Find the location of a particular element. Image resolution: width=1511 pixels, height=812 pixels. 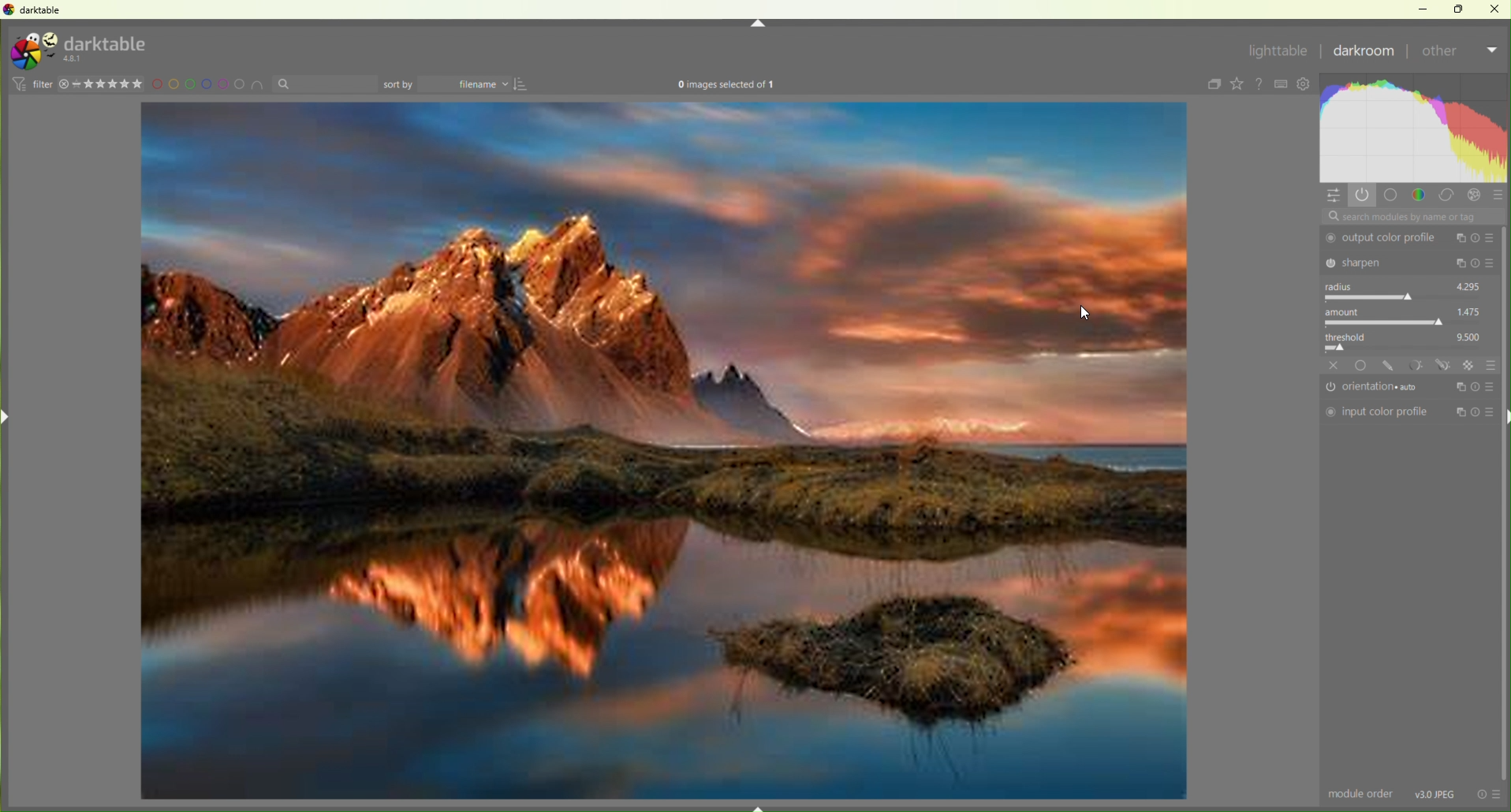

copy, reset and presets is located at coordinates (1476, 386).